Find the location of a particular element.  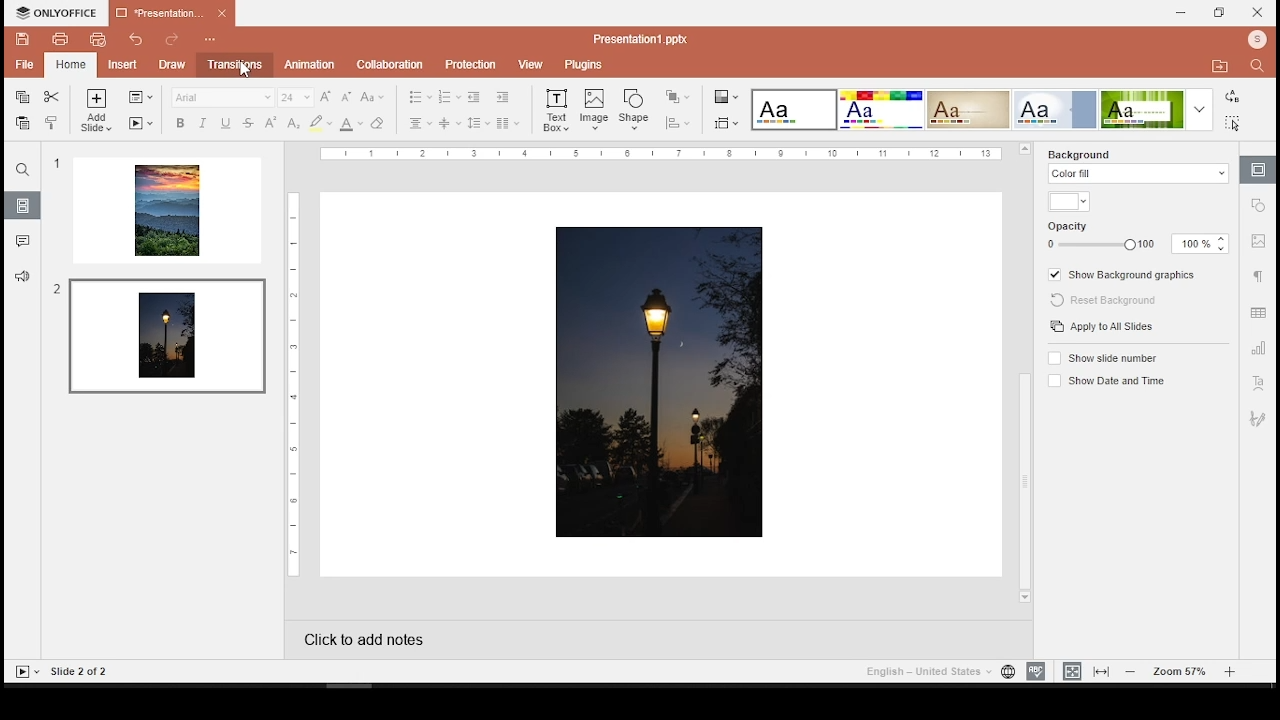

fit to slide is located at coordinates (1072, 671).